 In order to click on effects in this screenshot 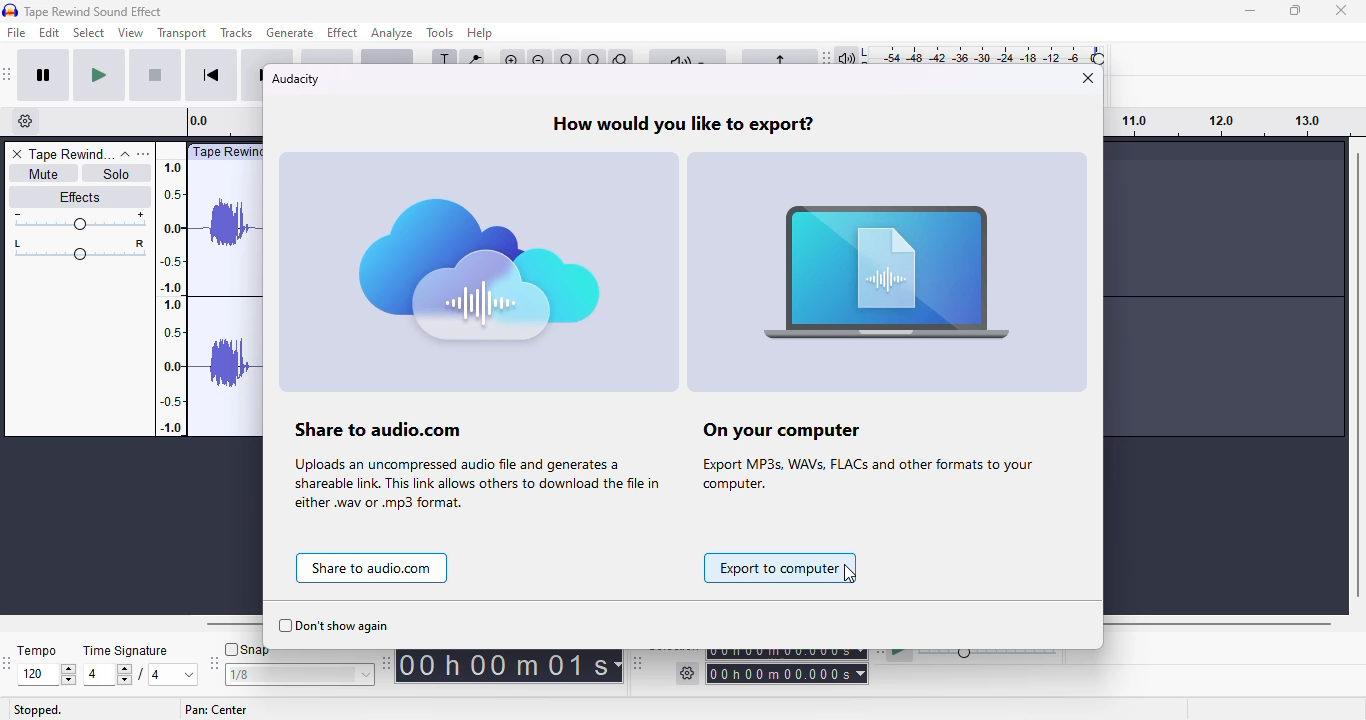, I will do `click(80, 196)`.